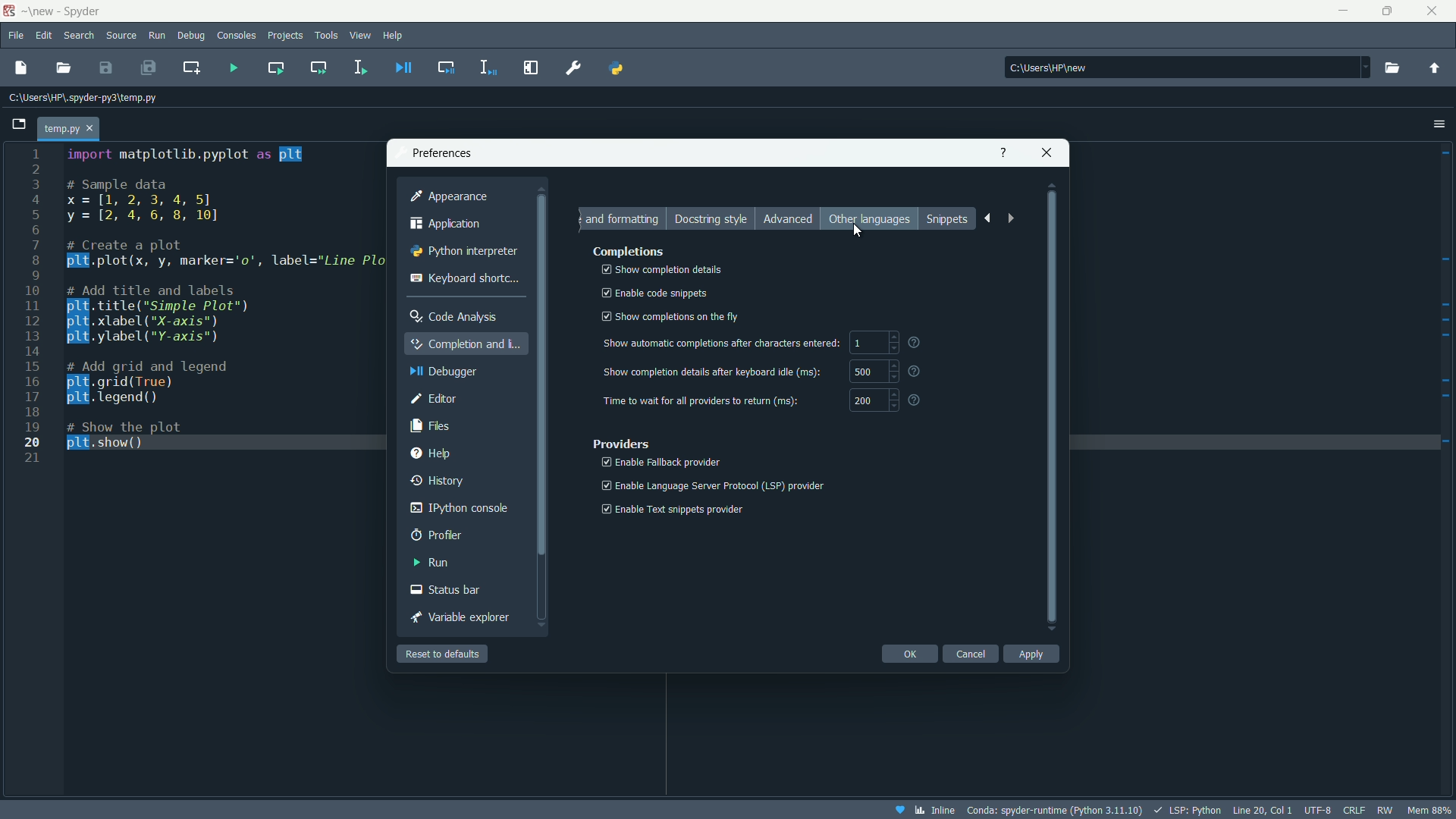  What do you see at coordinates (431, 453) in the screenshot?
I see `help` at bounding box center [431, 453].